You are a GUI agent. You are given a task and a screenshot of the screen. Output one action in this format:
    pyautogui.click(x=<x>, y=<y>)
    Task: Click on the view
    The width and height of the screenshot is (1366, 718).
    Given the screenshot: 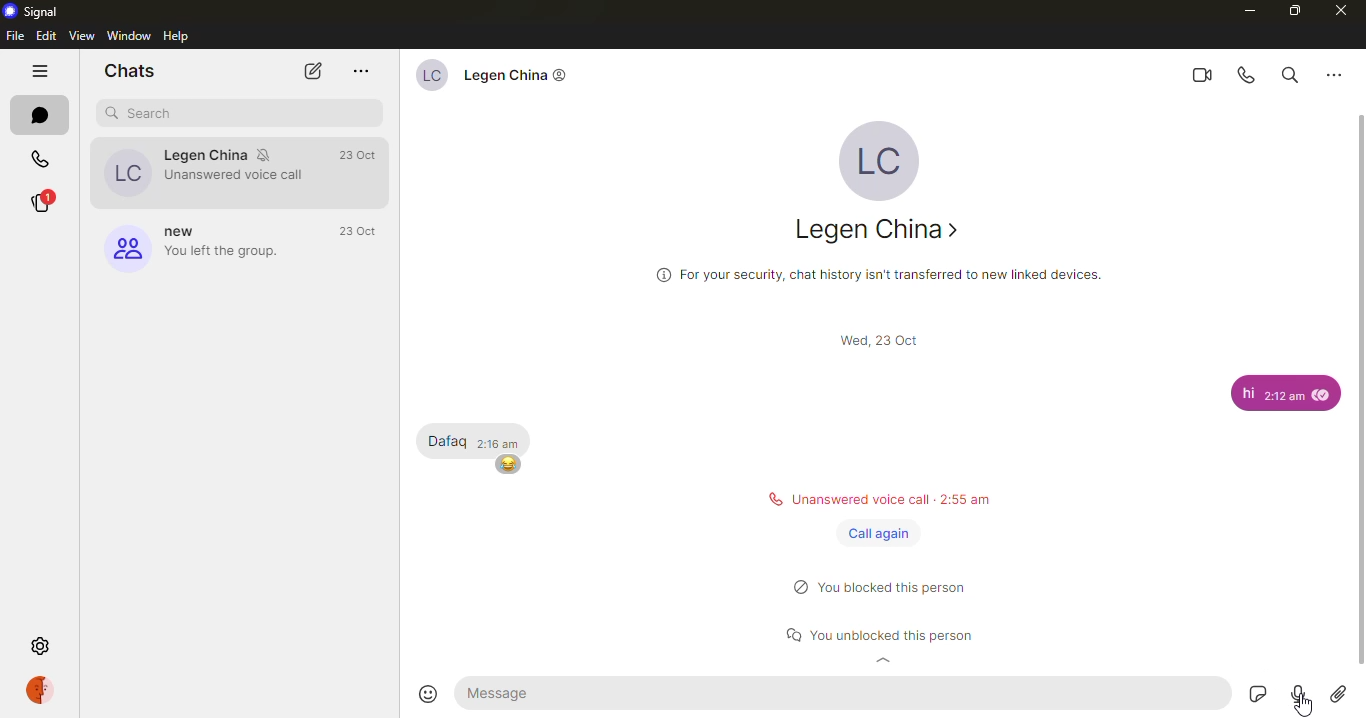 What is the action you would take?
    pyautogui.click(x=82, y=35)
    